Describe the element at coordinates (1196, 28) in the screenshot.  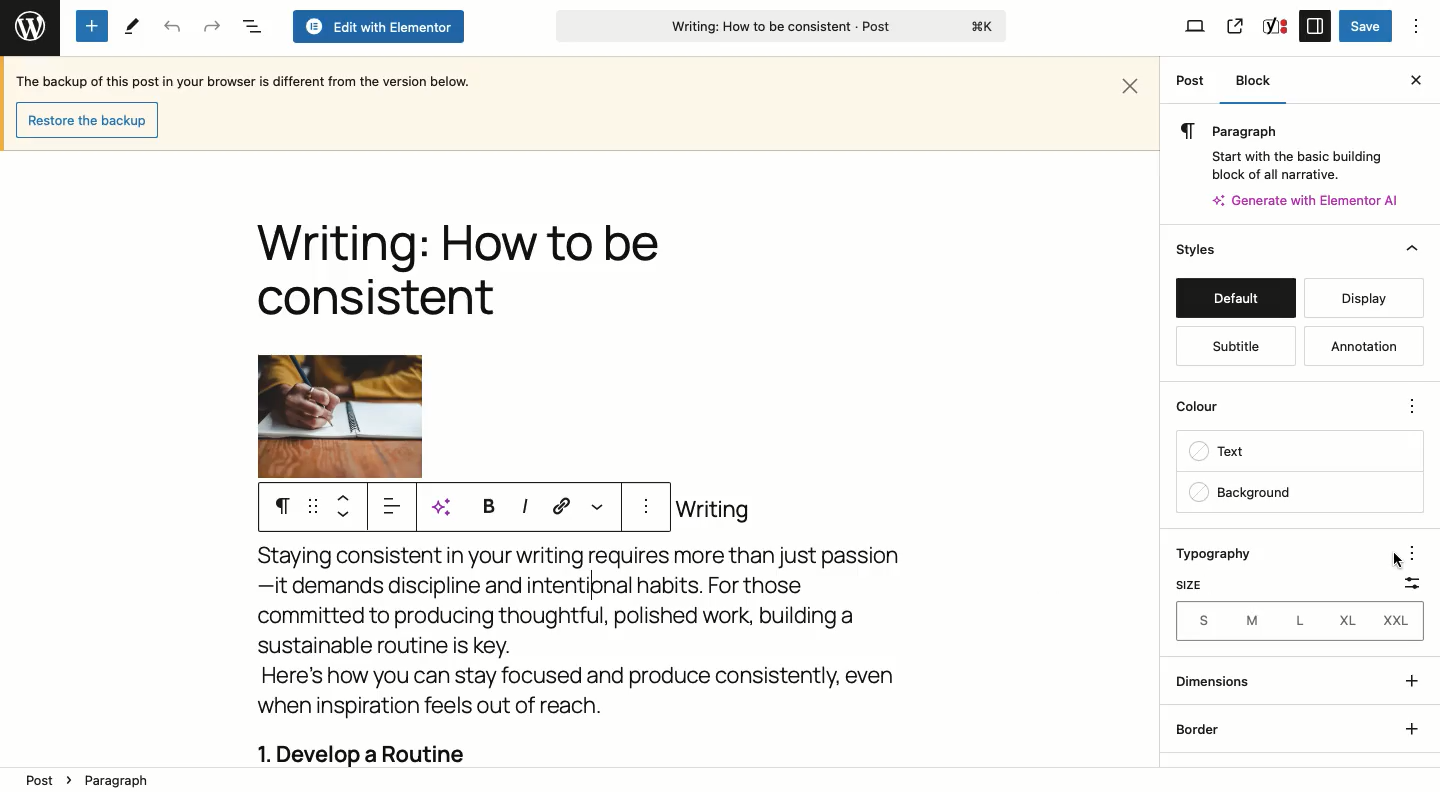
I see `View` at that location.